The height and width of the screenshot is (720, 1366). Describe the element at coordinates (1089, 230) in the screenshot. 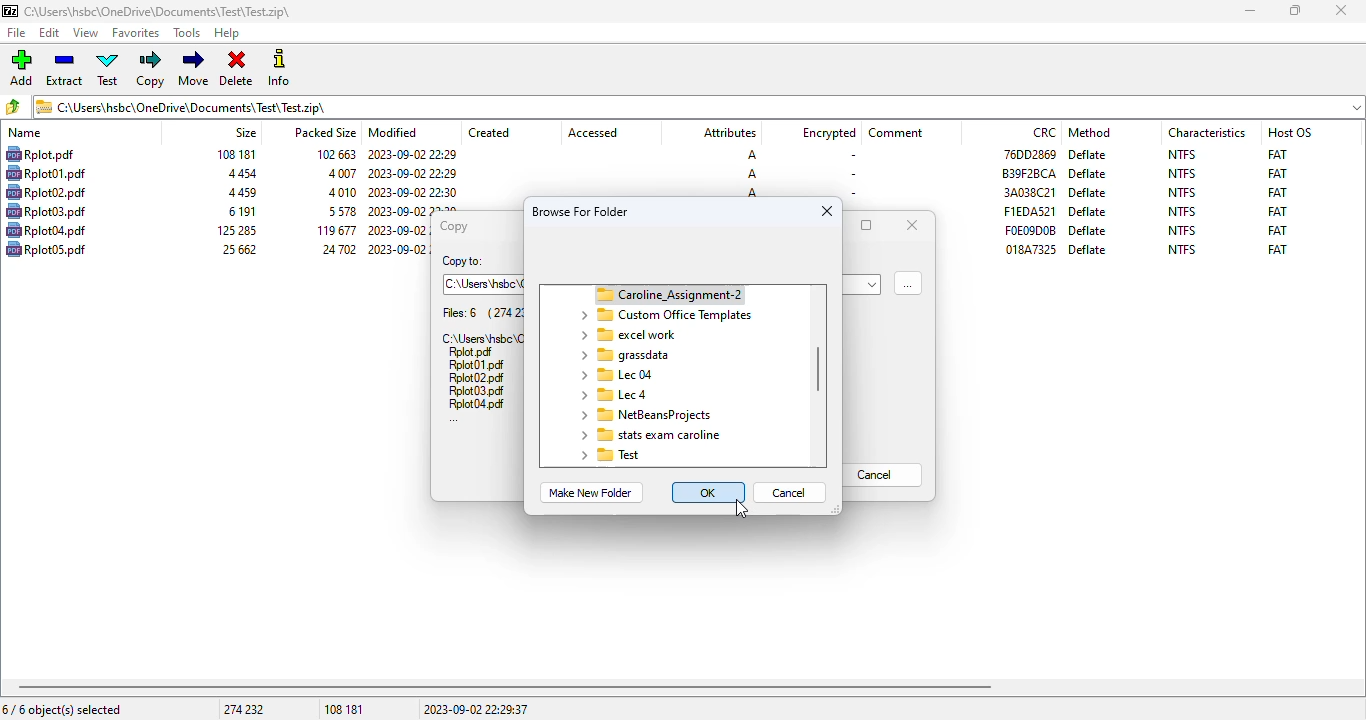

I see `deflate` at that location.